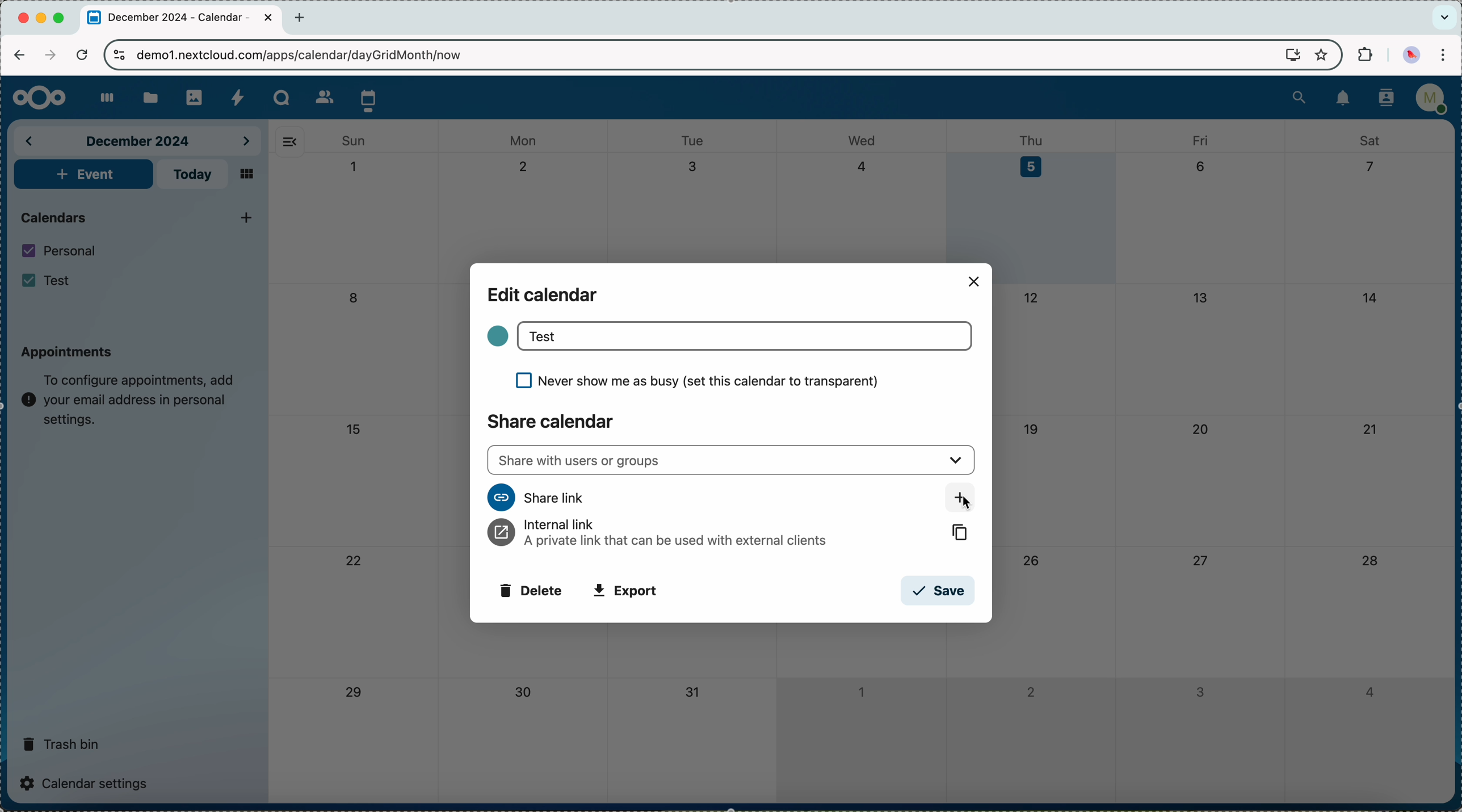  I want to click on 13, so click(1200, 297).